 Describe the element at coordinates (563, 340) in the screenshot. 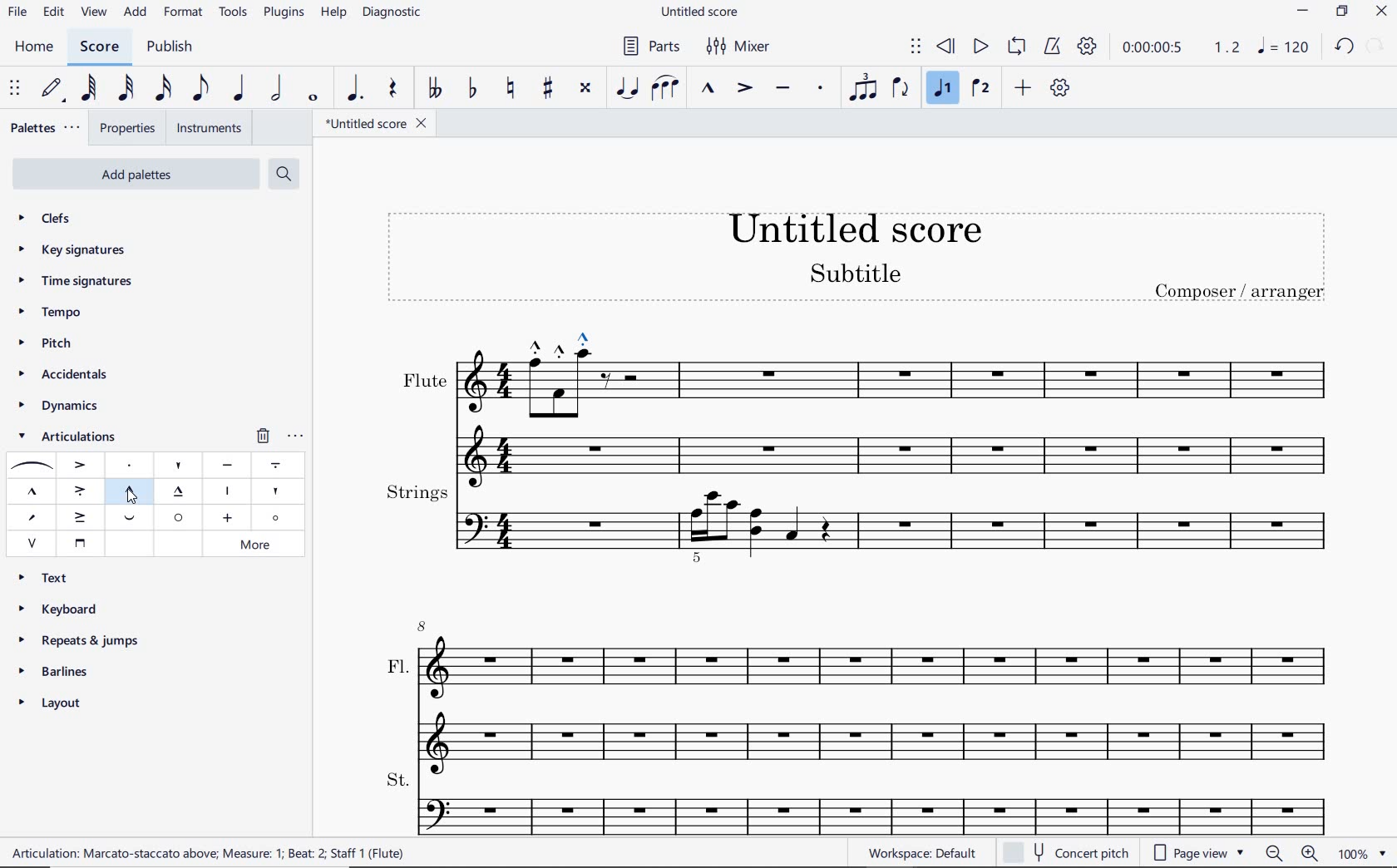

I see `ADDED: MARCATO-STACCATO ABOVE` at that location.